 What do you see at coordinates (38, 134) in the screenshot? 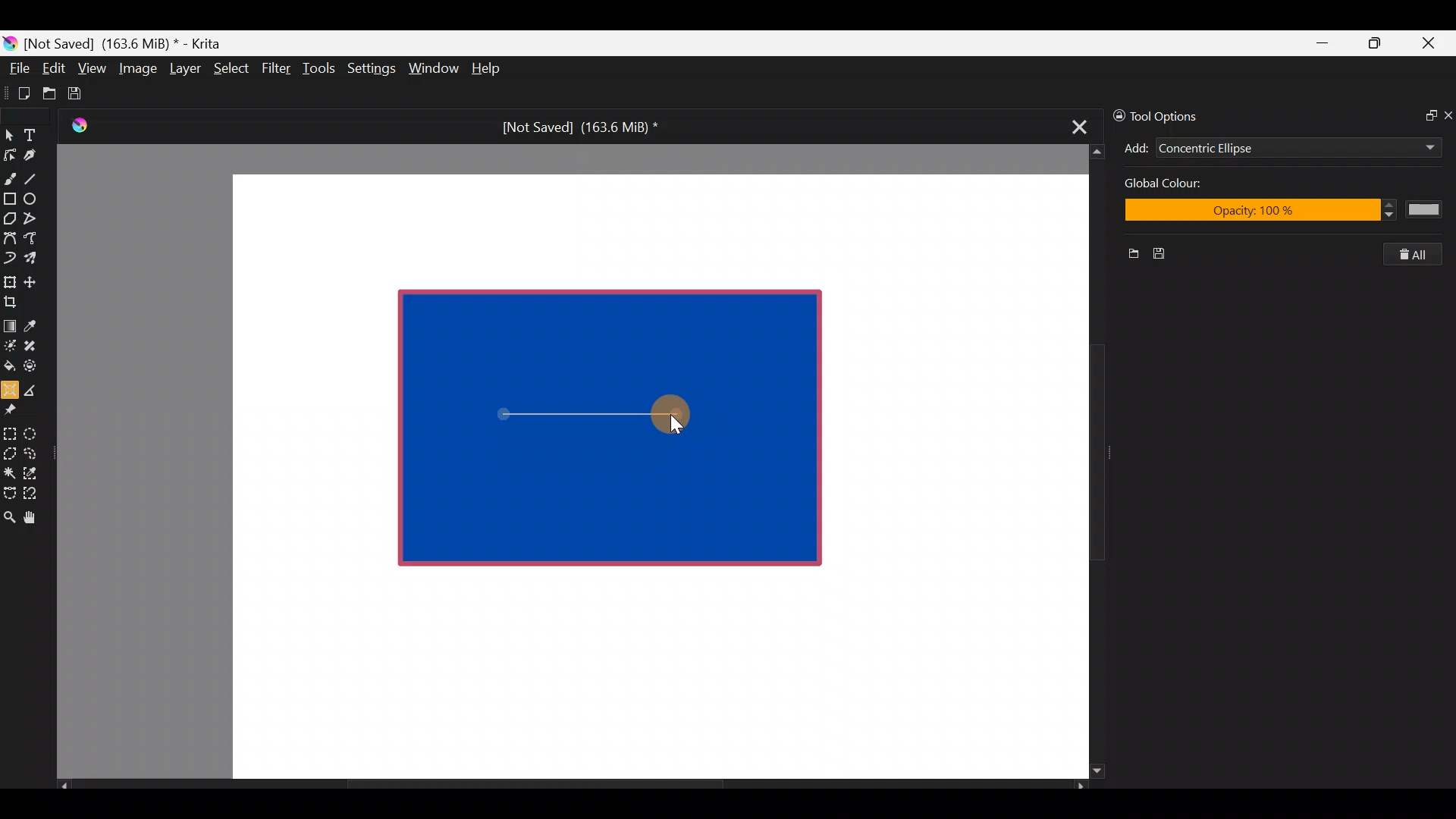
I see `Text tool` at bounding box center [38, 134].